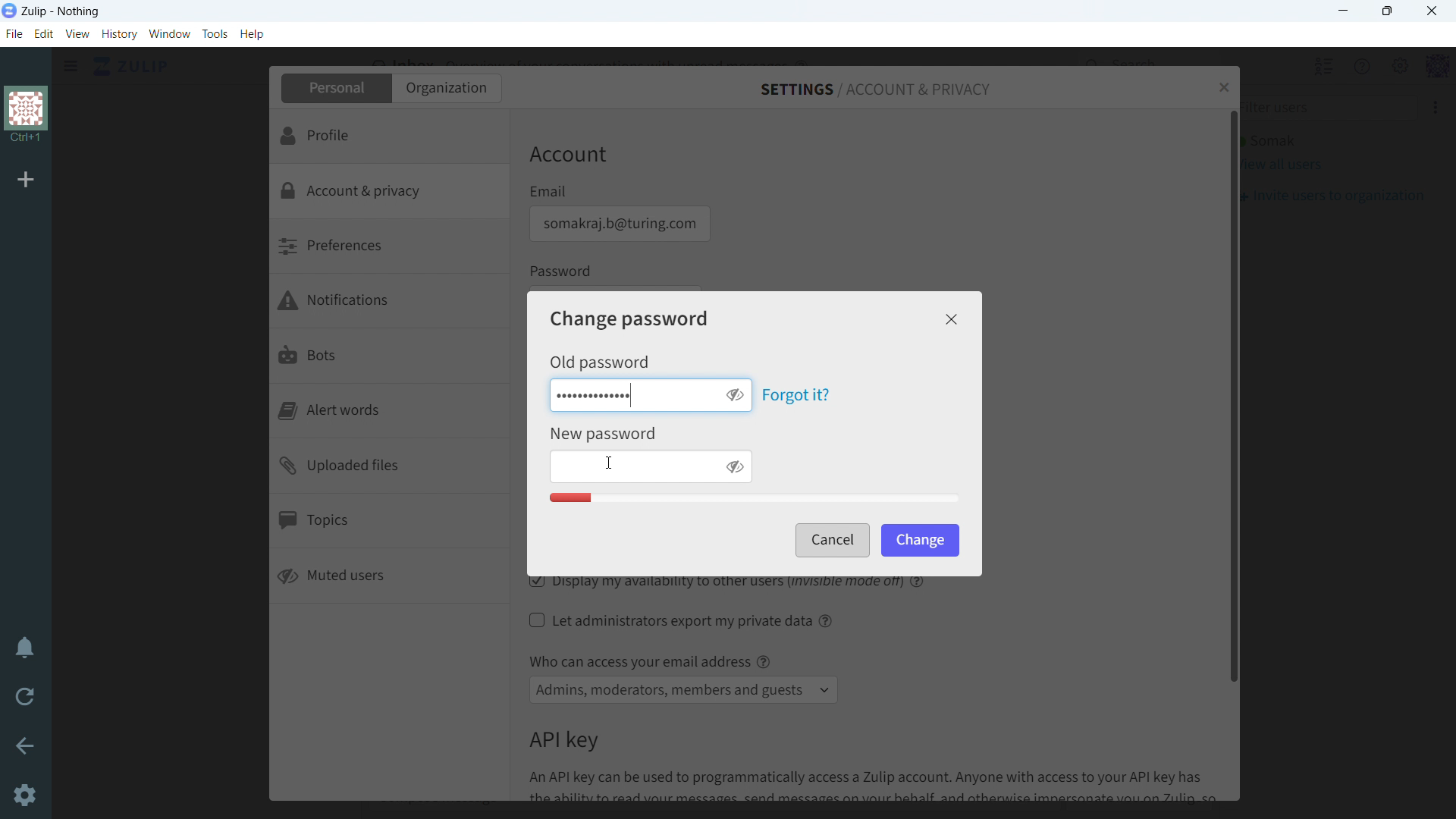  I want to click on alert words, so click(391, 411).